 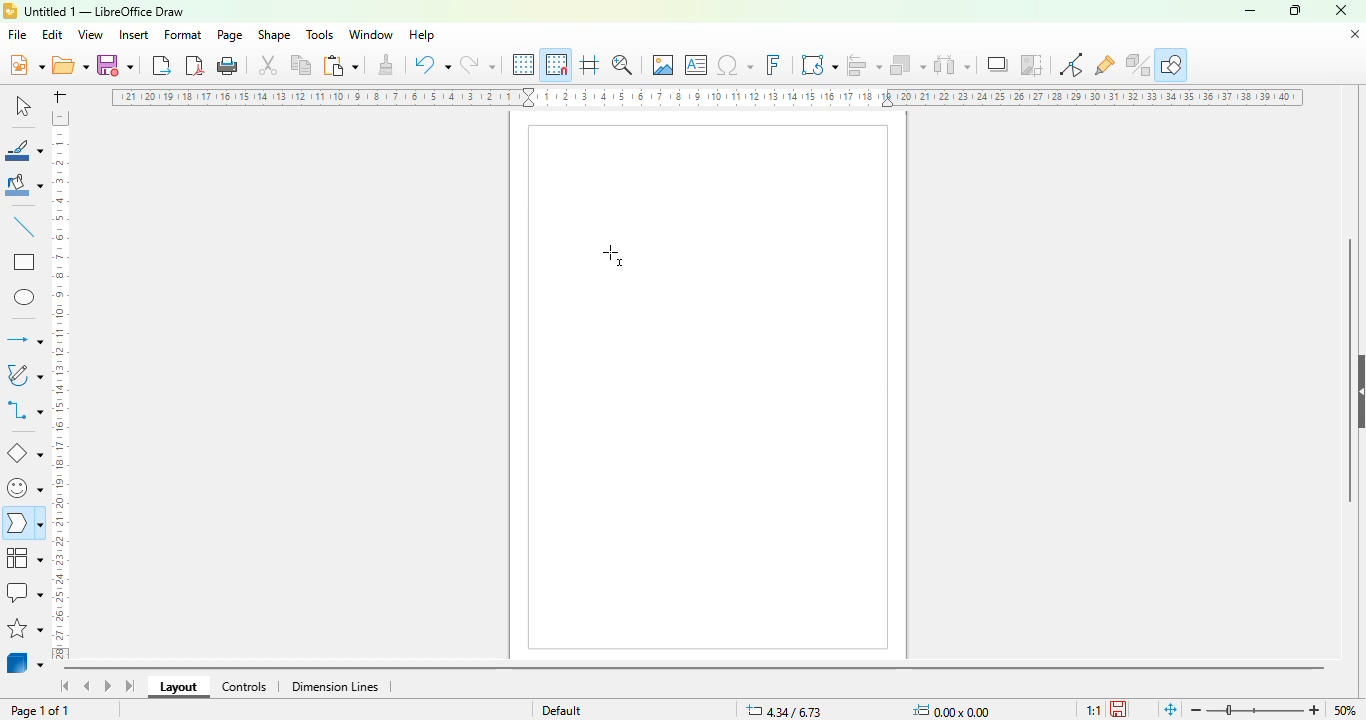 I want to click on insert line, so click(x=25, y=226).